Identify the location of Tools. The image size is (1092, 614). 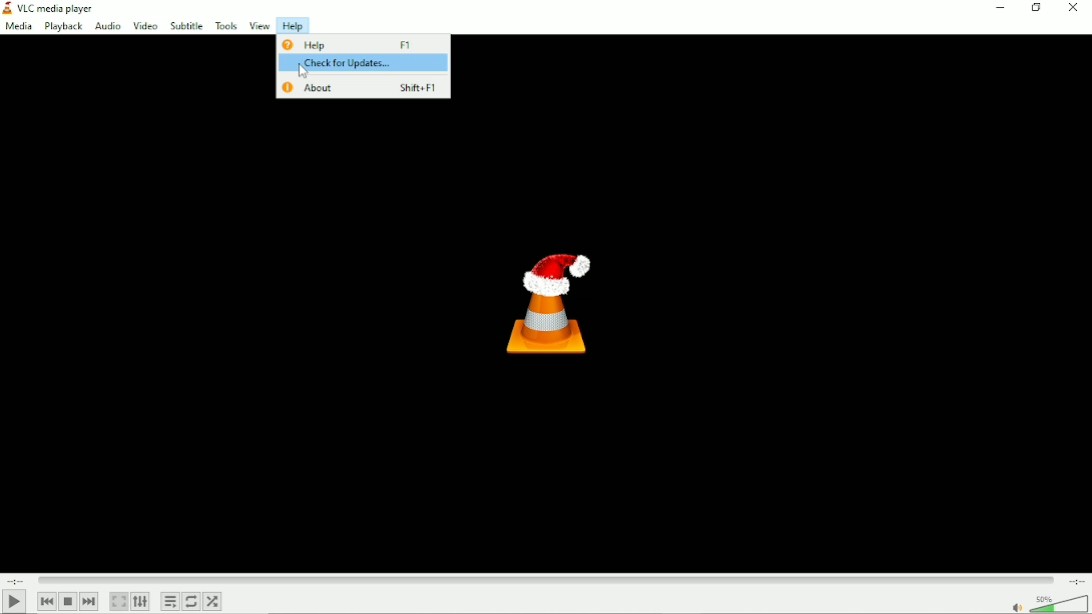
(227, 25).